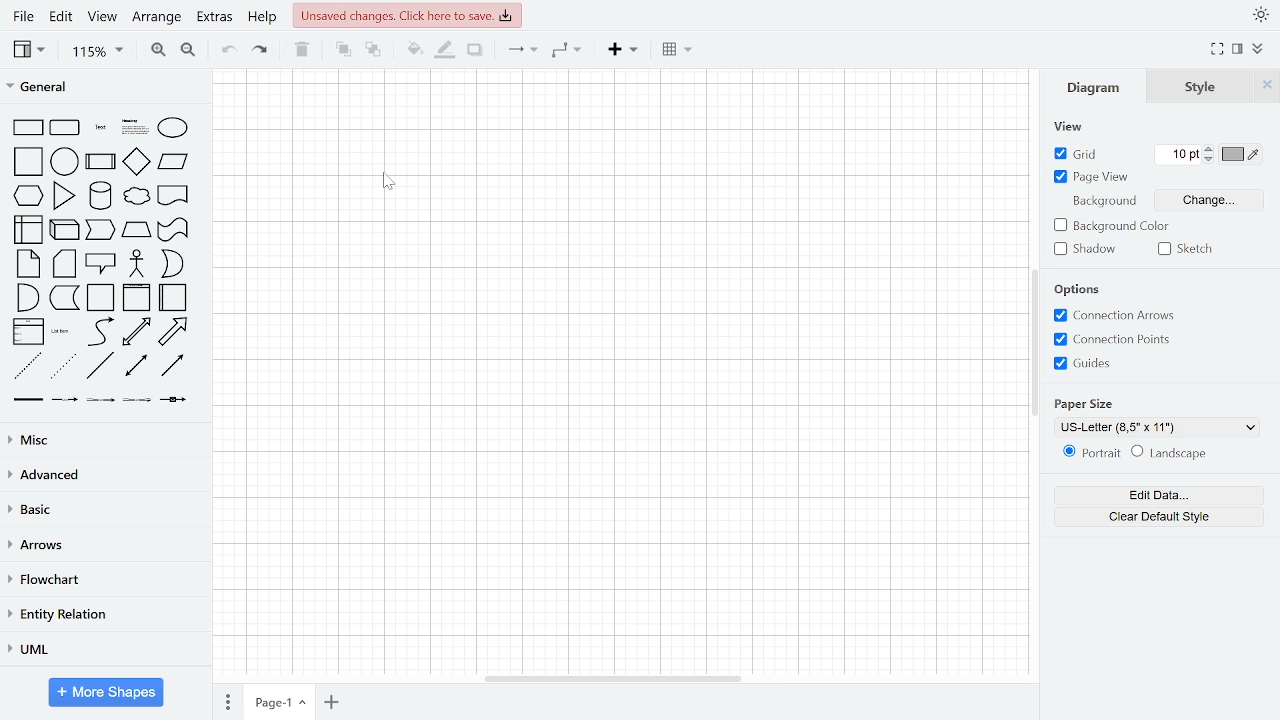 This screenshot has height=720, width=1280. I want to click on delete, so click(301, 49).